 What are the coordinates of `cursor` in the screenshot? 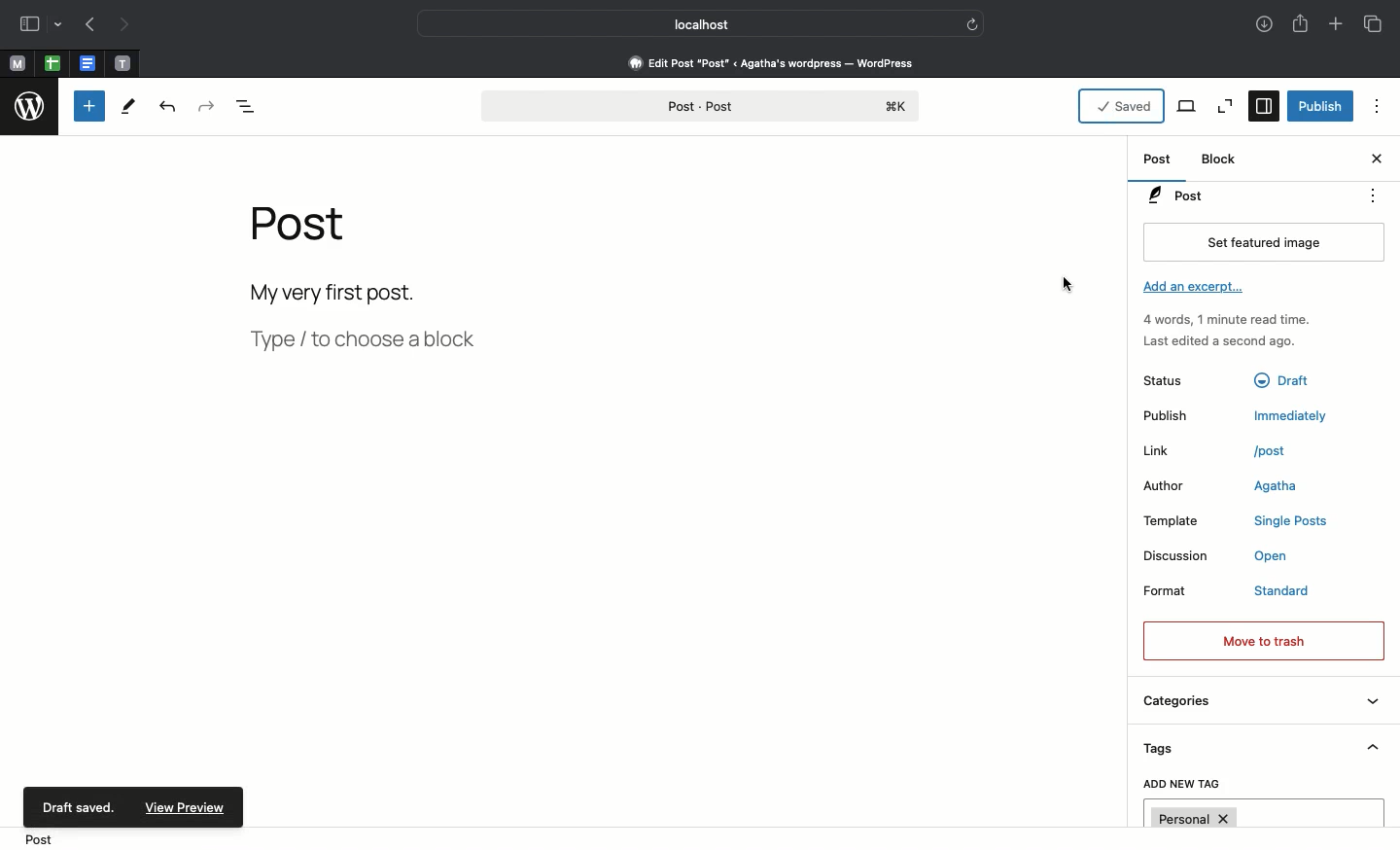 It's located at (1068, 287).